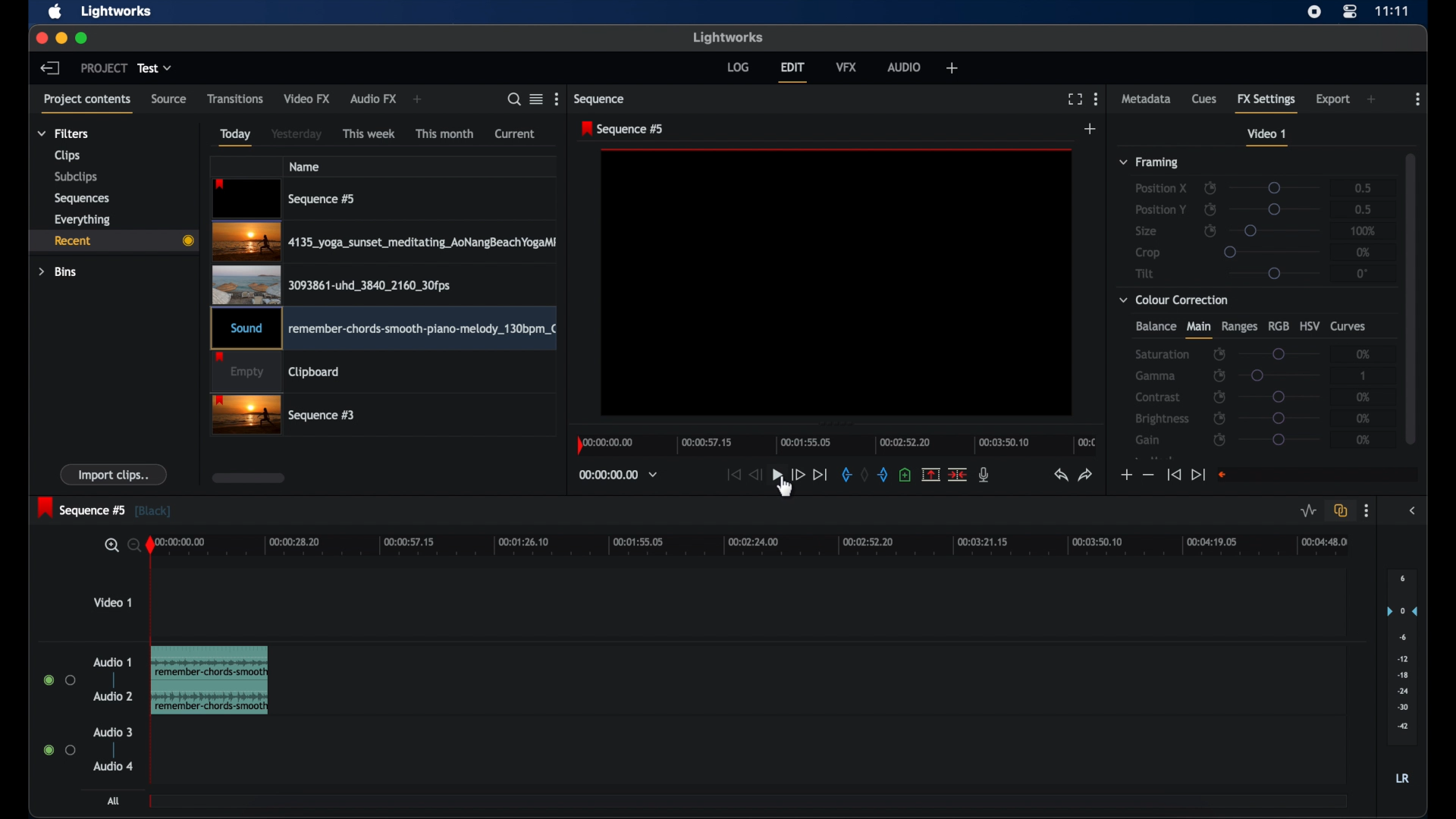 This screenshot has width=1456, height=819. What do you see at coordinates (1357, 187) in the screenshot?
I see `0.5` at bounding box center [1357, 187].